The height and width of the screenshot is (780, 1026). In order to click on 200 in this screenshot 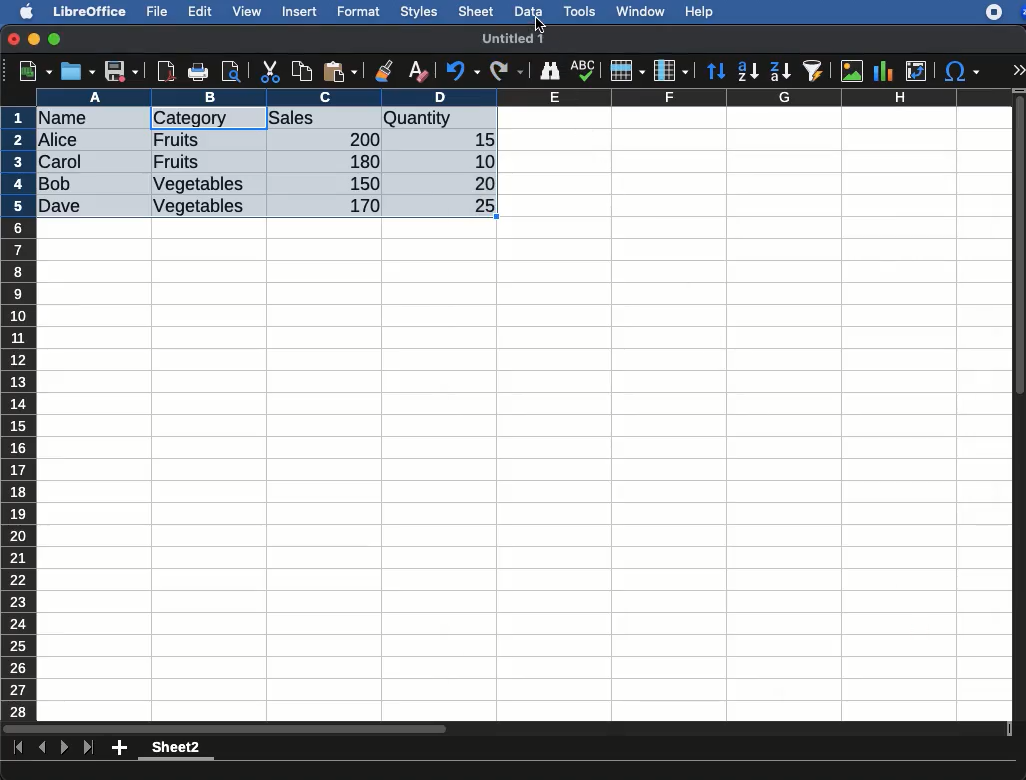, I will do `click(359, 139)`.